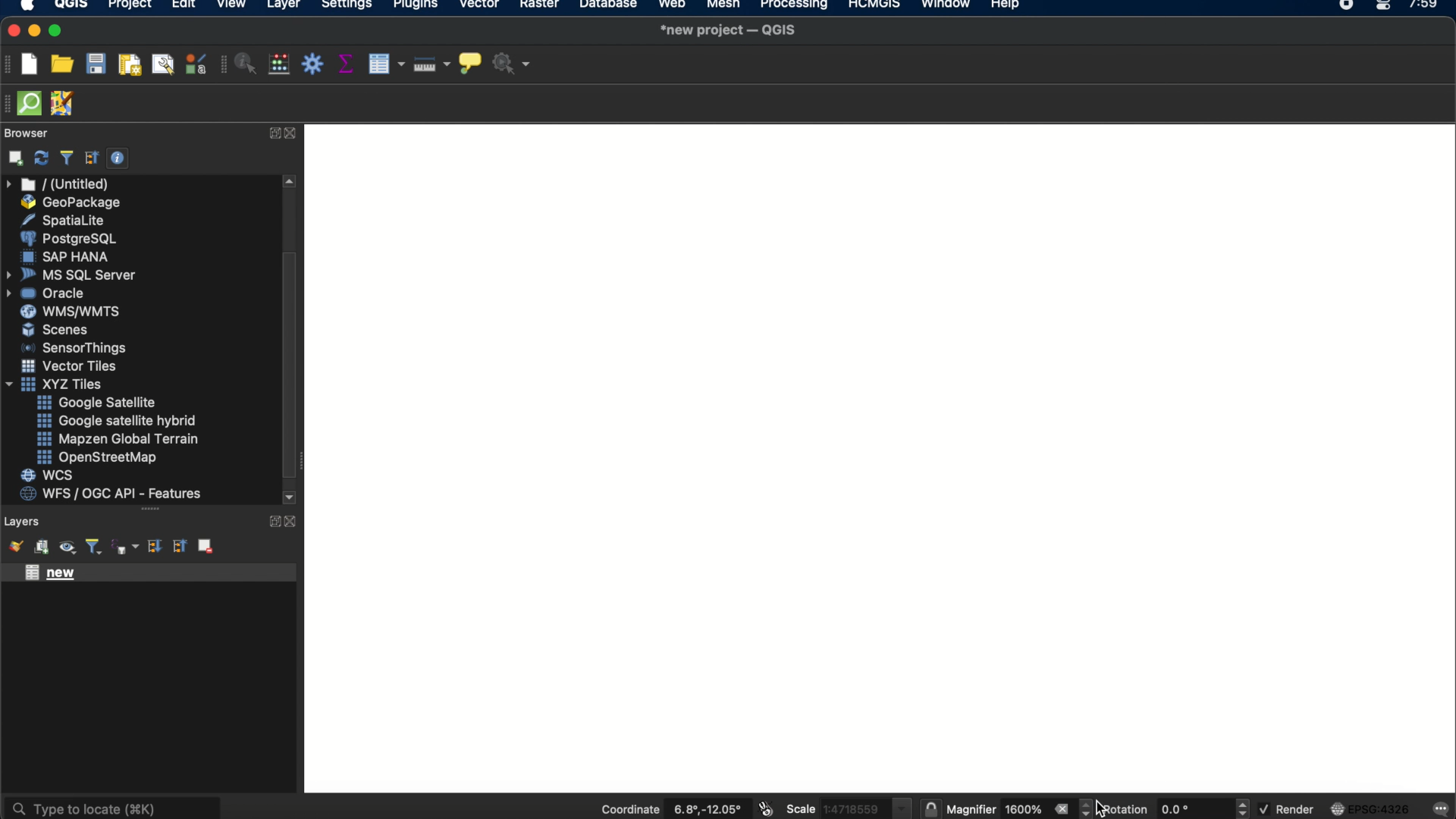 The image size is (1456, 819). Describe the element at coordinates (196, 64) in the screenshot. I see `style manager` at that location.